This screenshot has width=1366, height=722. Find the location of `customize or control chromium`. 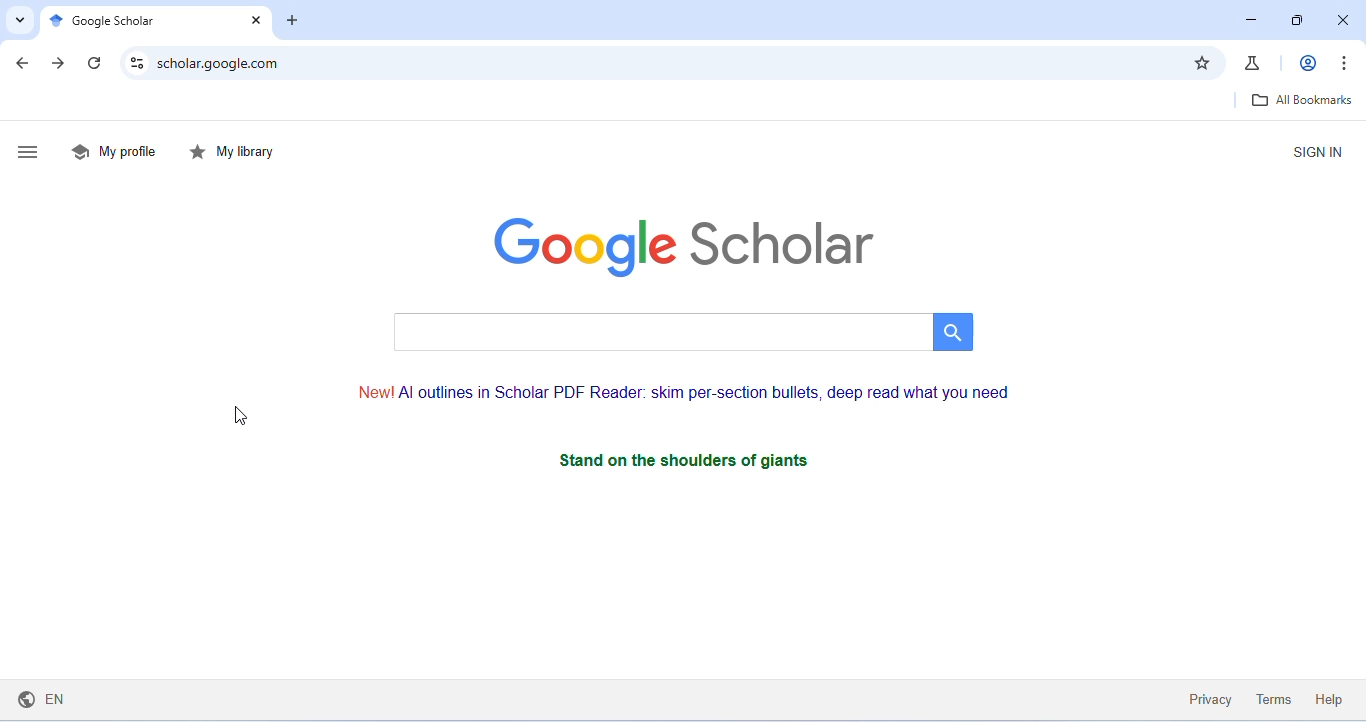

customize or control chromium is located at coordinates (1344, 61).